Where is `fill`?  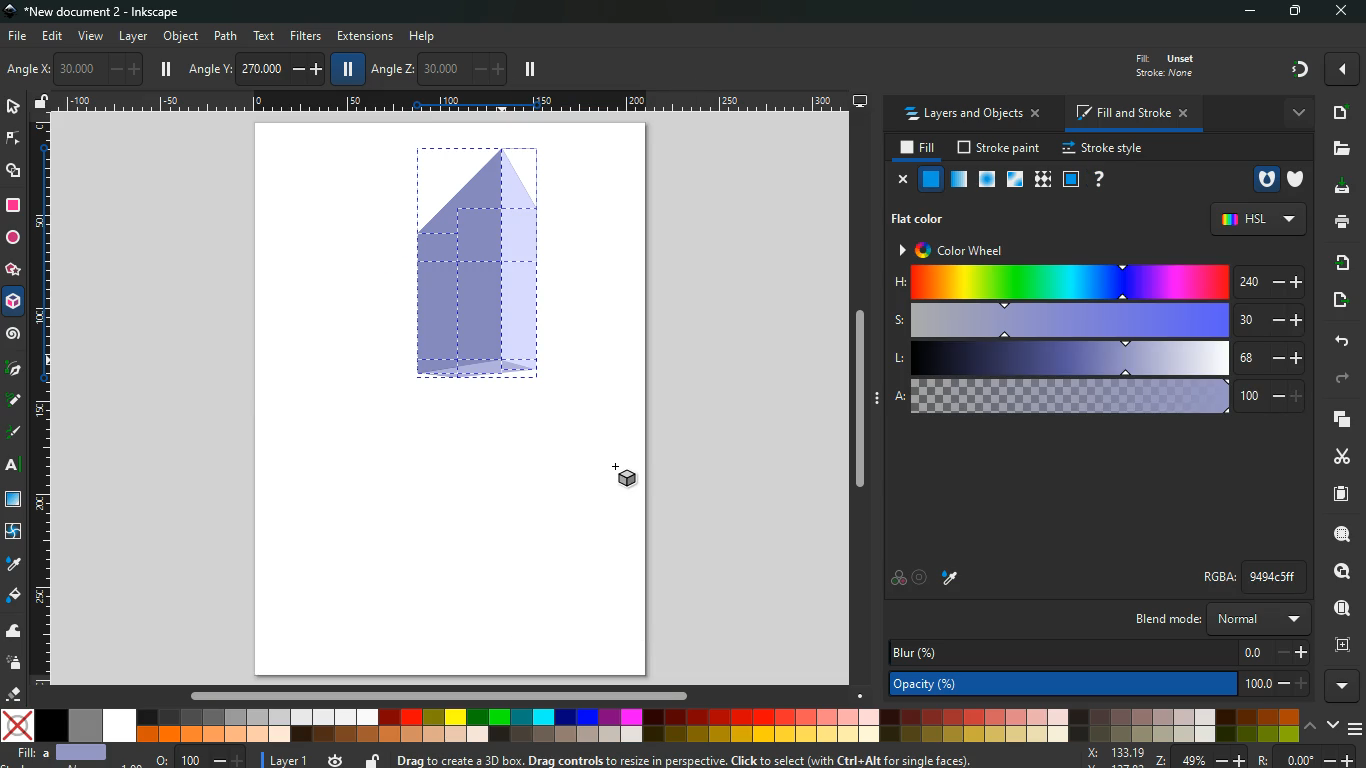
fill is located at coordinates (14, 596).